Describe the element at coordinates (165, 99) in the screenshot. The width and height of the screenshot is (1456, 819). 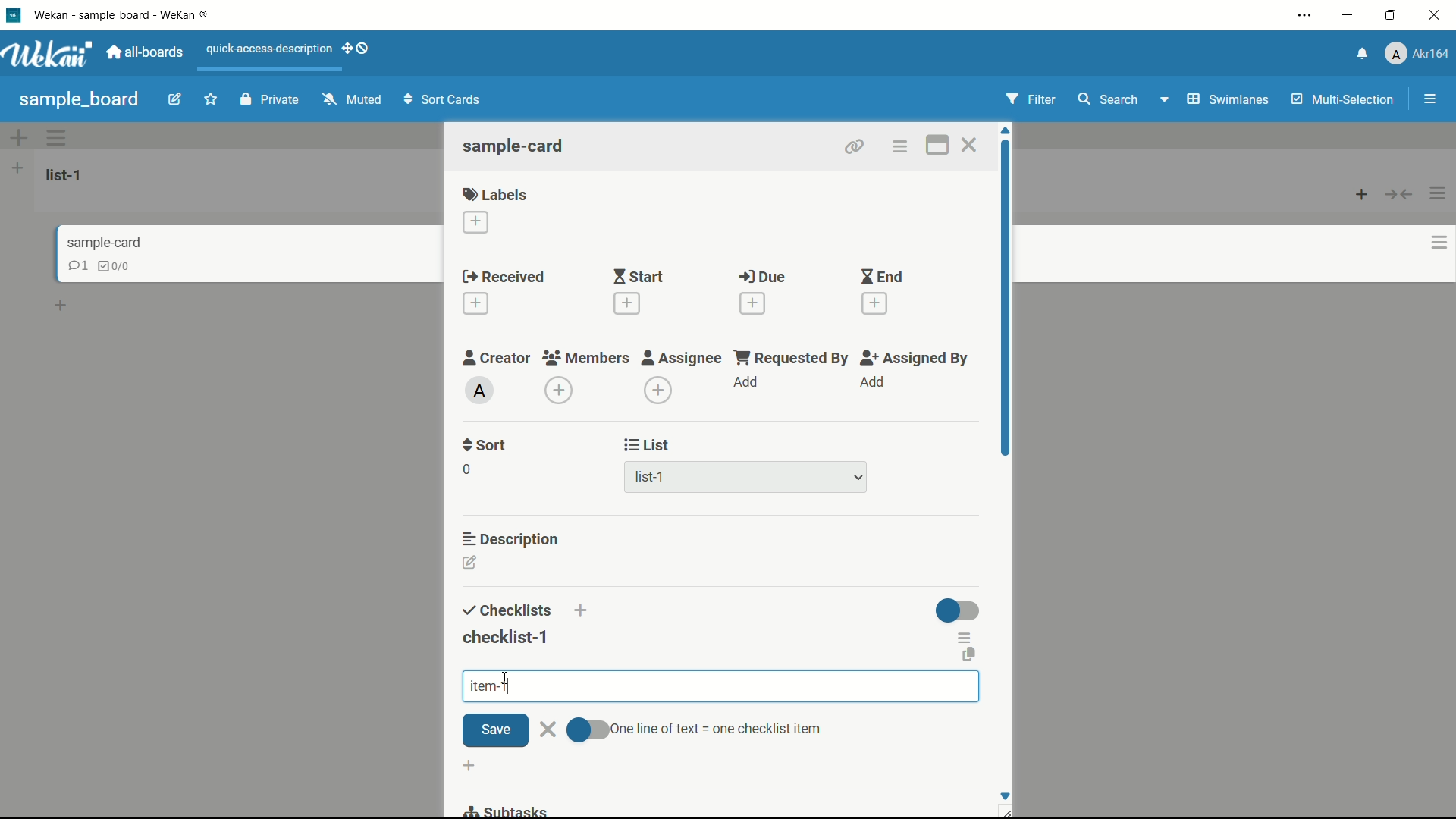
I see `edit` at that location.